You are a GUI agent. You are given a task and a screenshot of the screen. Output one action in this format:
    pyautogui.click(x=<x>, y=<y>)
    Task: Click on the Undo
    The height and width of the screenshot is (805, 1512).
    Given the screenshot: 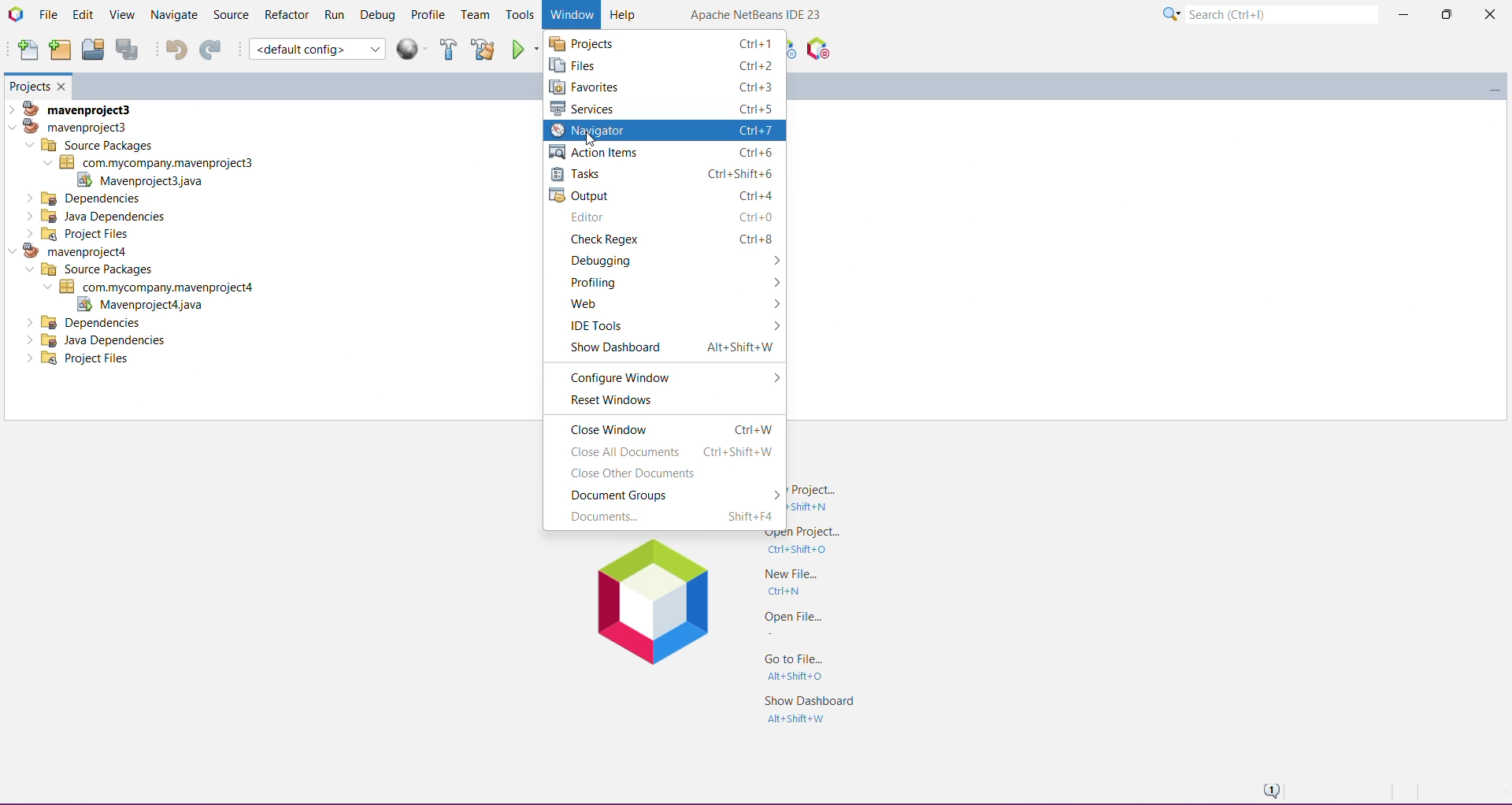 What is the action you would take?
    pyautogui.click(x=172, y=49)
    